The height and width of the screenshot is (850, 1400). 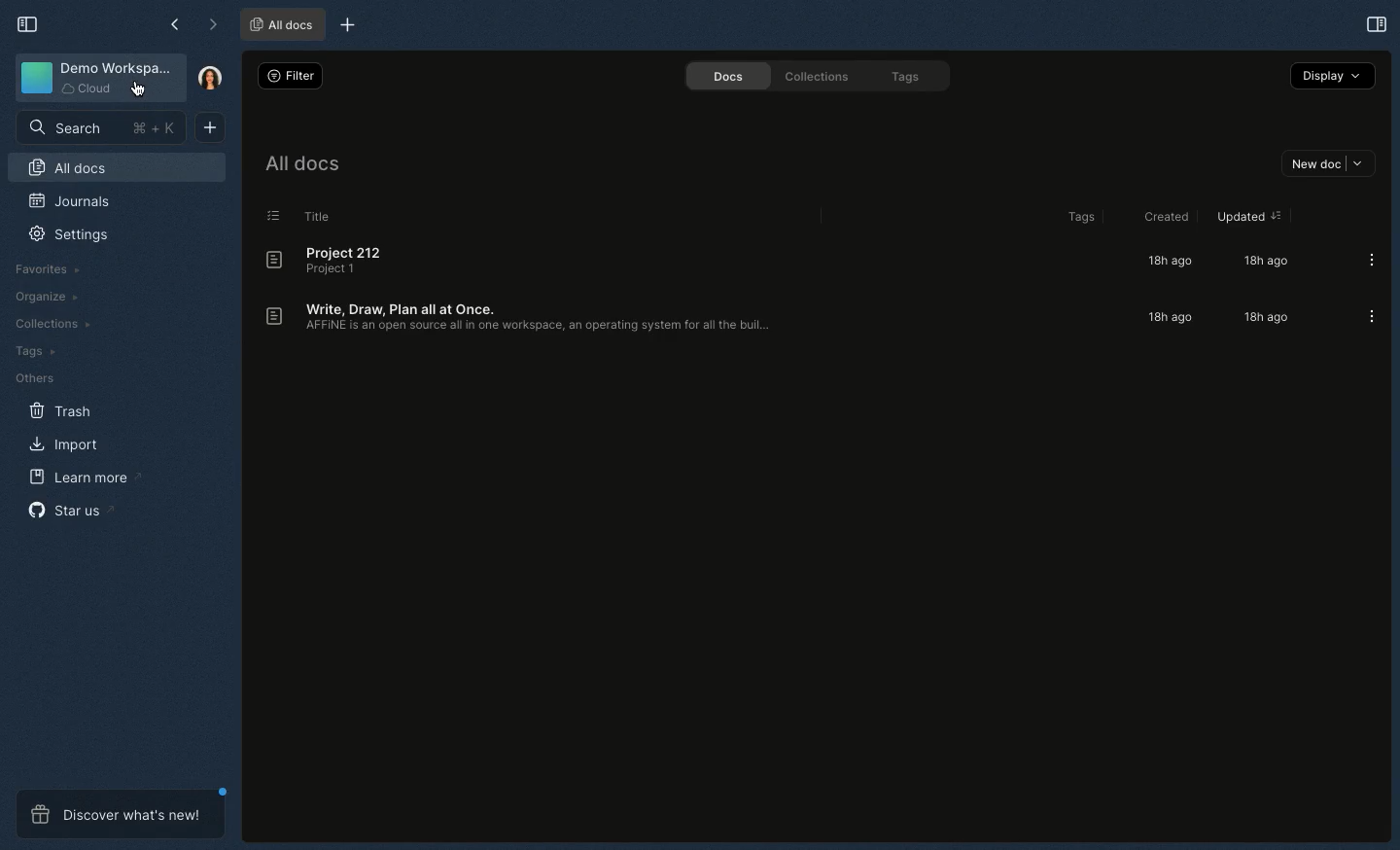 What do you see at coordinates (346, 25) in the screenshot?
I see `New tab` at bounding box center [346, 25].